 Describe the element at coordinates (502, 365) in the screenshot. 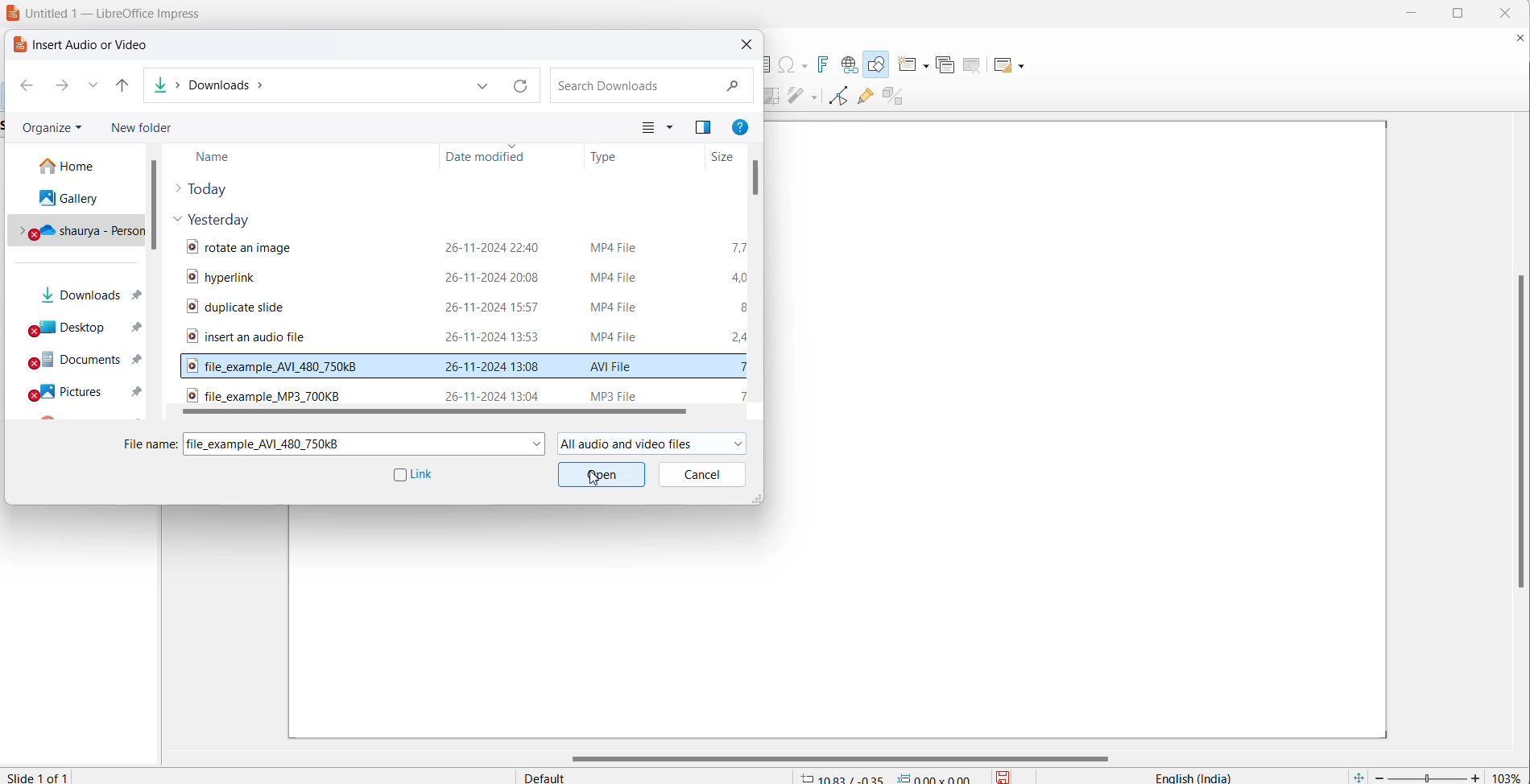

I see `selected video file modification date` at that location.